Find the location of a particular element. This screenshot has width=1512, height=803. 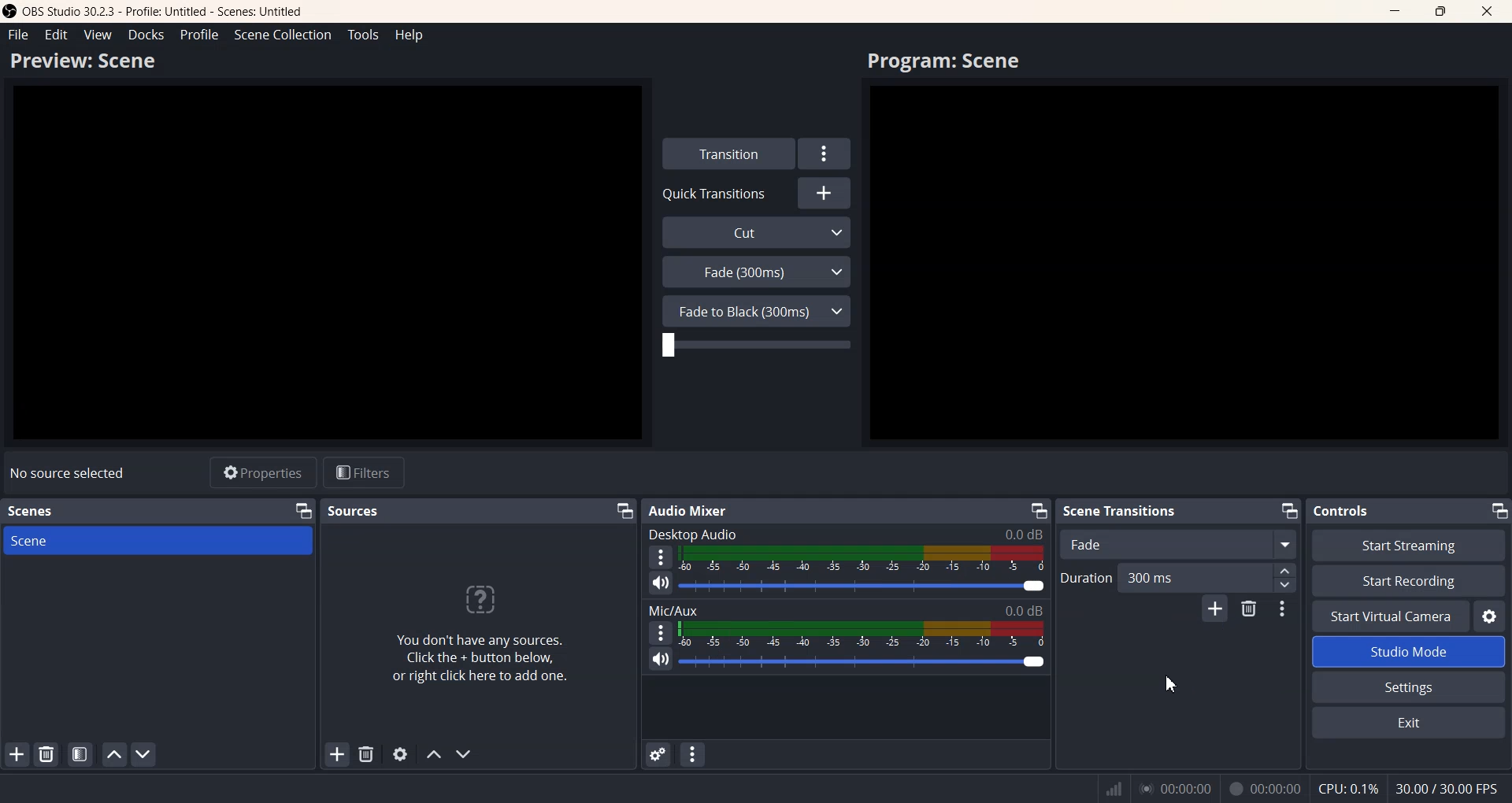

Follow scene down is located at coordinates (144, 754).